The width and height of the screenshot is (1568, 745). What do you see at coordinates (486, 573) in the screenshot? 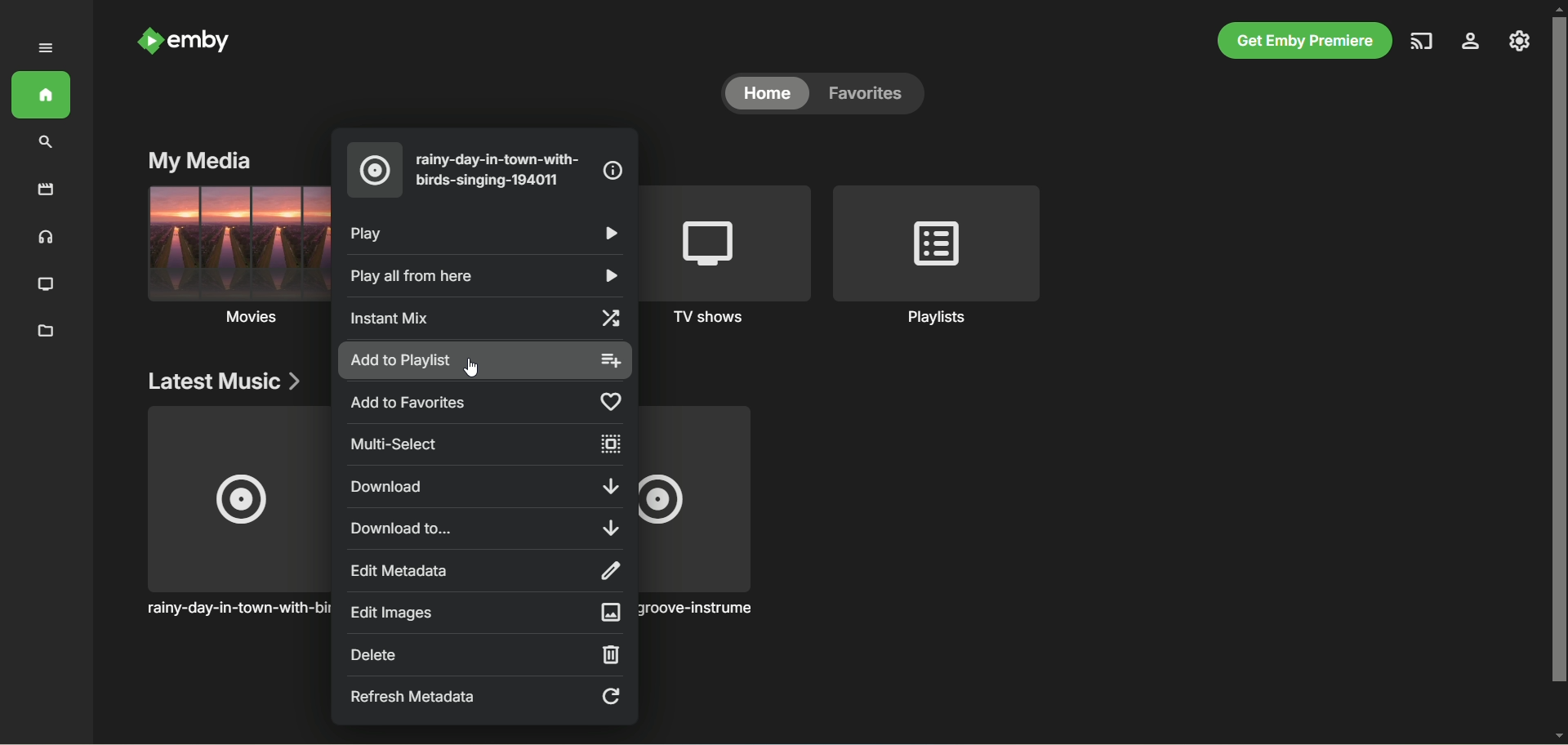
I see `edit metadata` at bounding box center [486, 573].